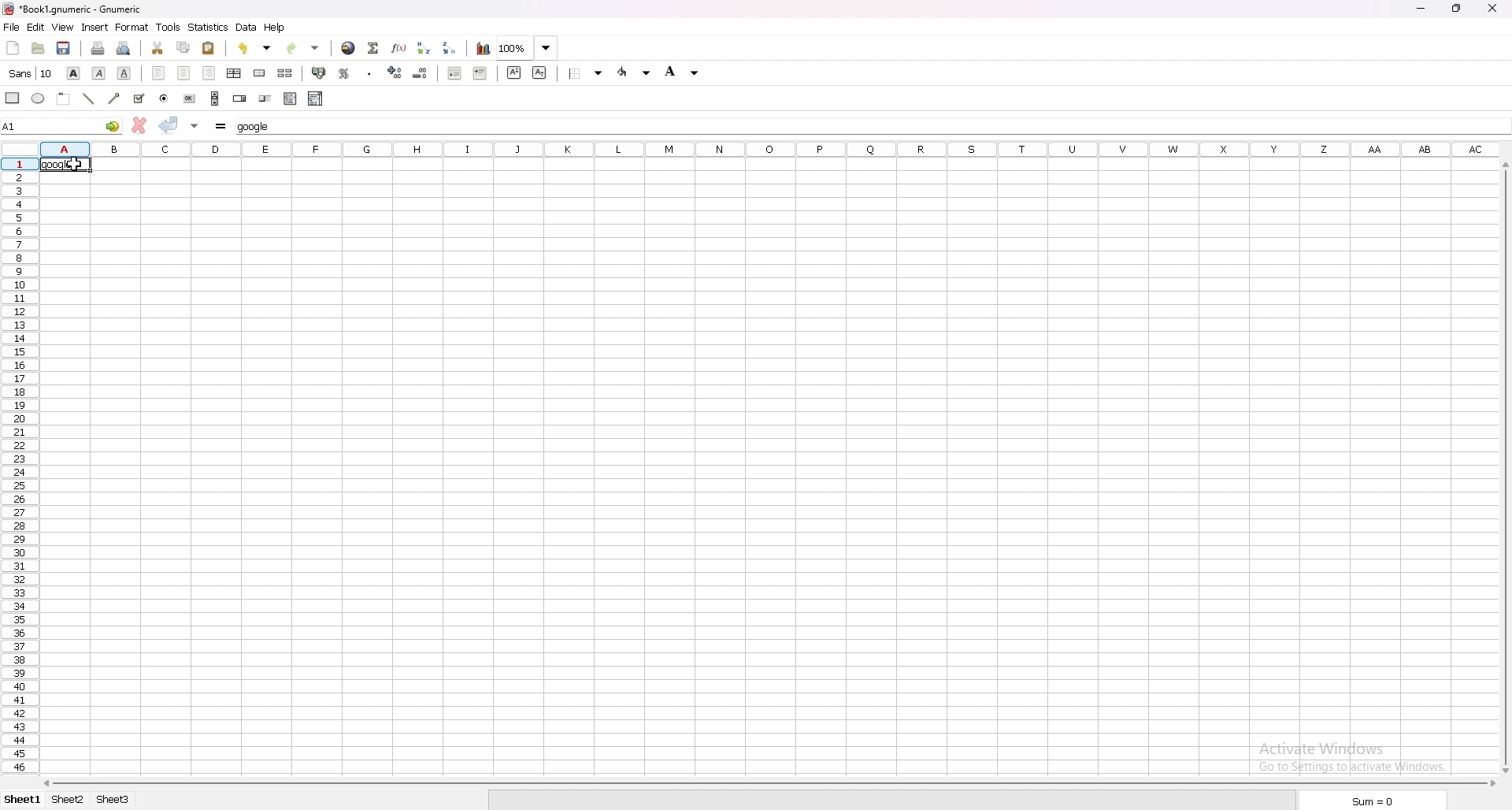 The width and height of the screenshot is (1512, 810). What do you see at coordinates (168, 27) in the screenshot?
I see `tools` at bounding box center [168, 27].